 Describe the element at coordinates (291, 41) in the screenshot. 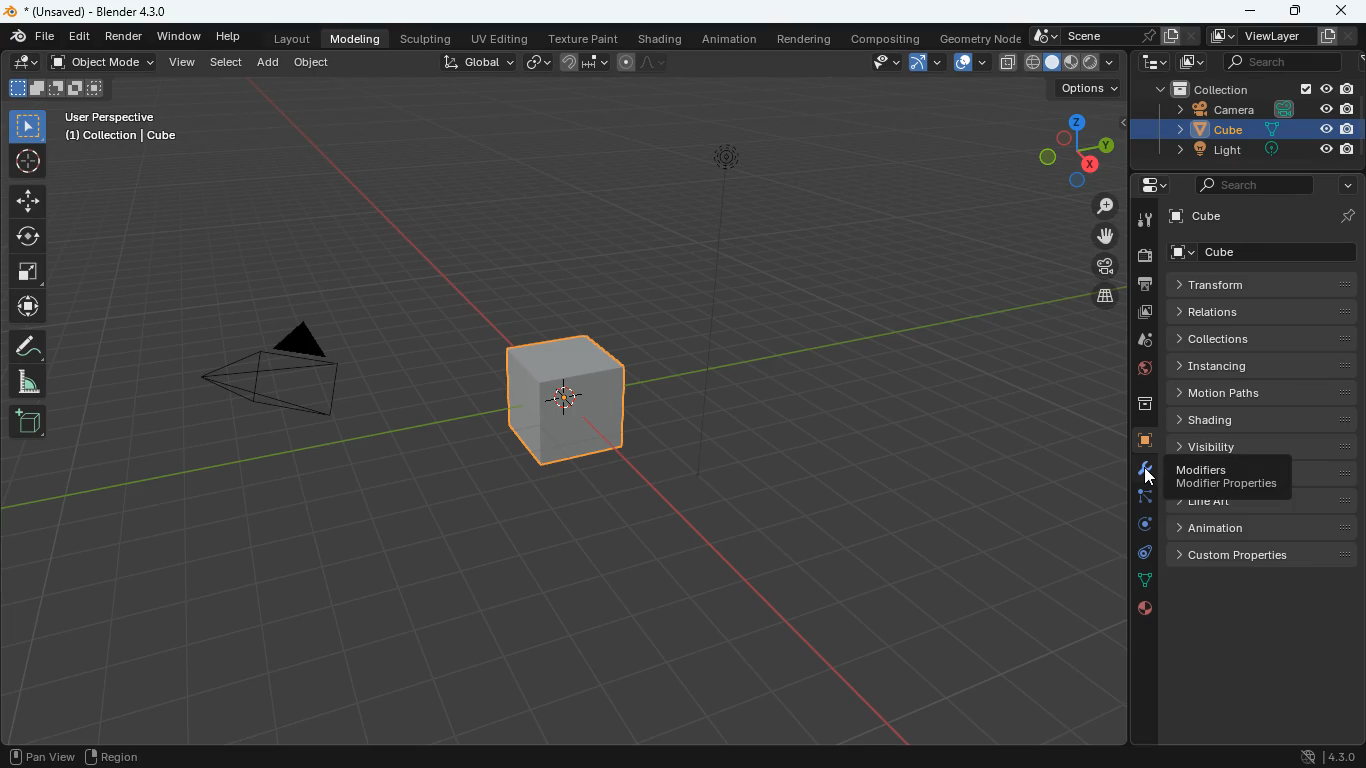

I see `layout` at that location.